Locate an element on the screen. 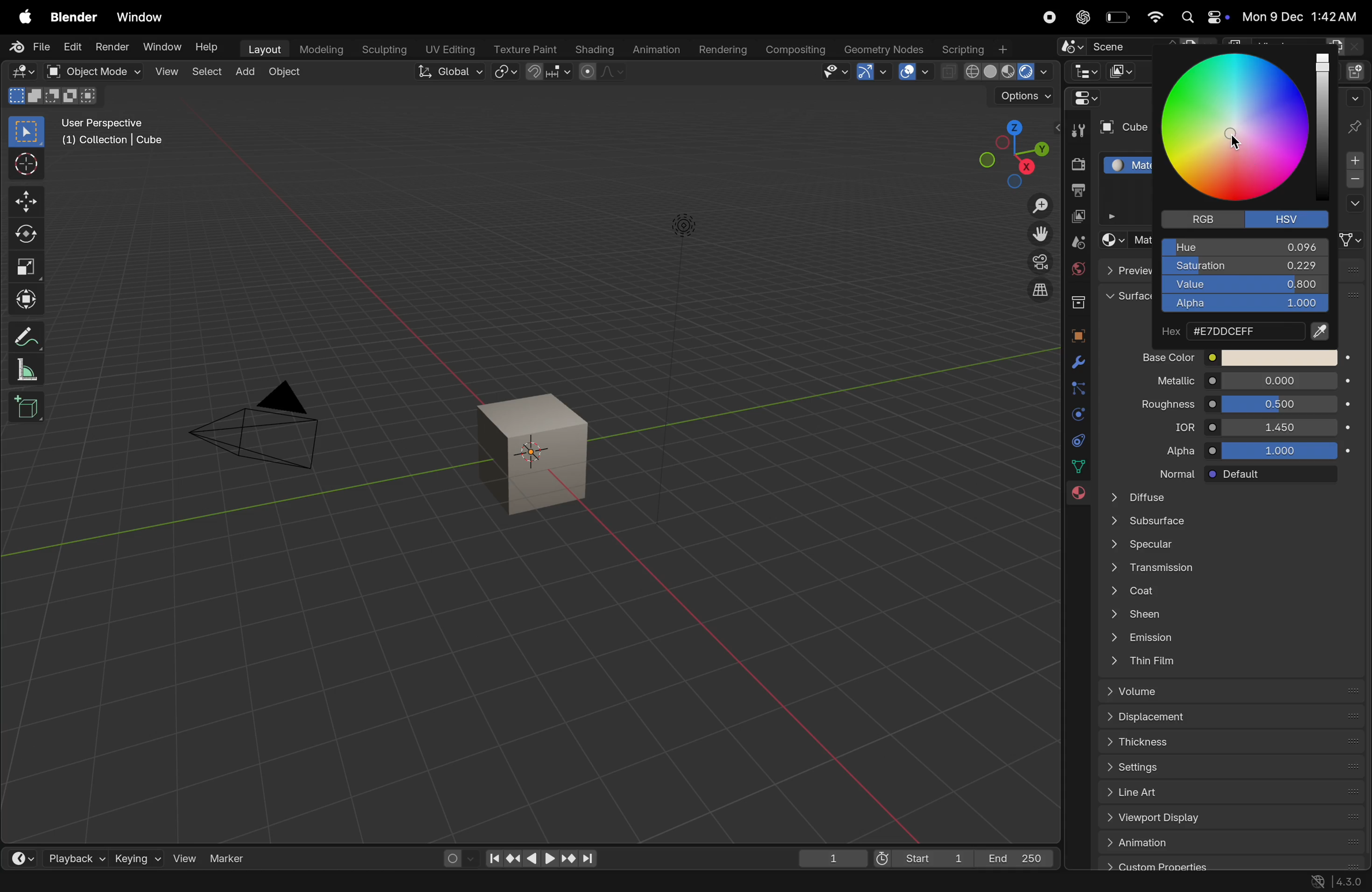 The width and height of the screenshot is (1372, 892). window is located at coordinates (163, 48).